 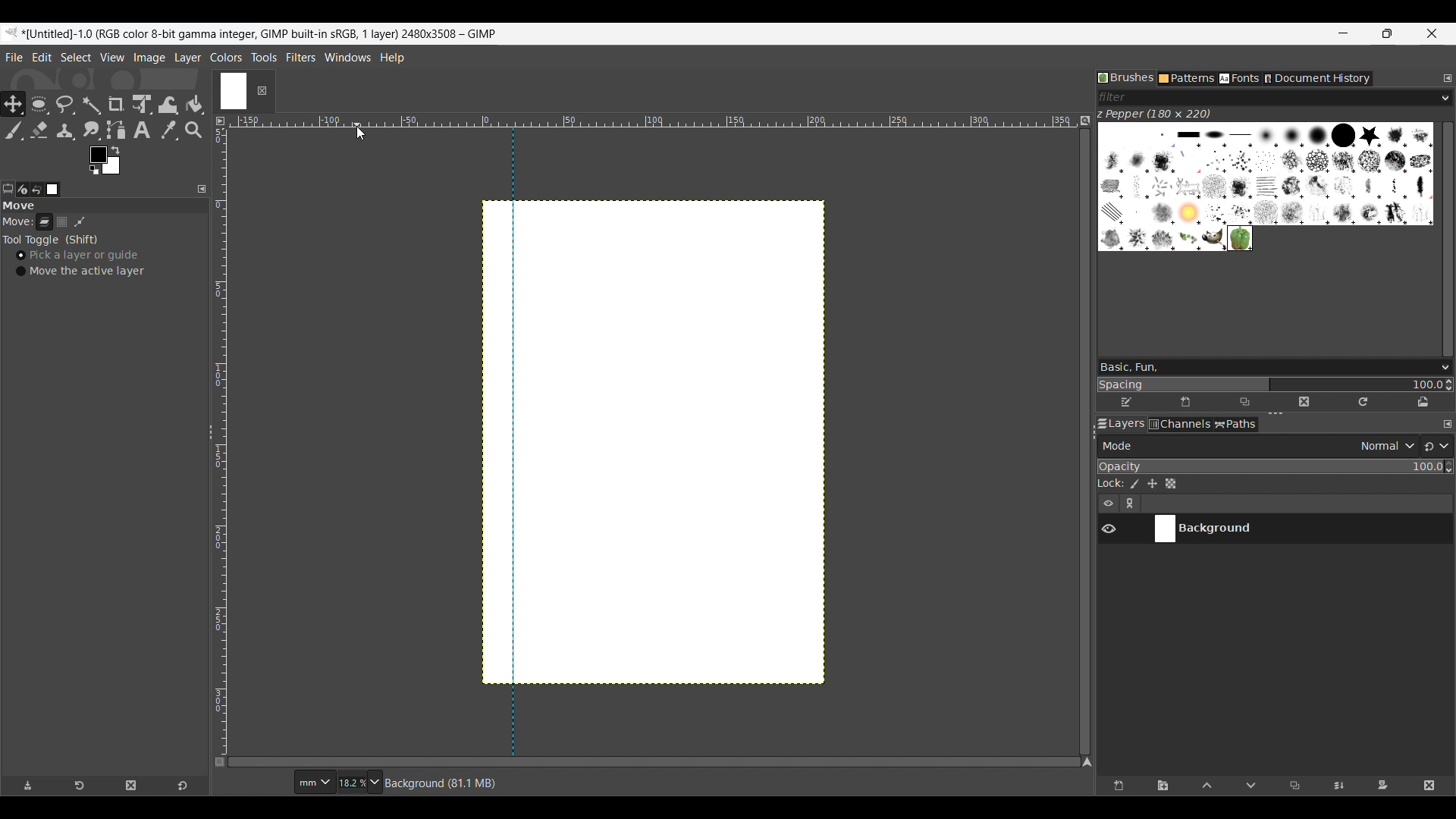 I want to click on File menu, so click(x=14, y=58).